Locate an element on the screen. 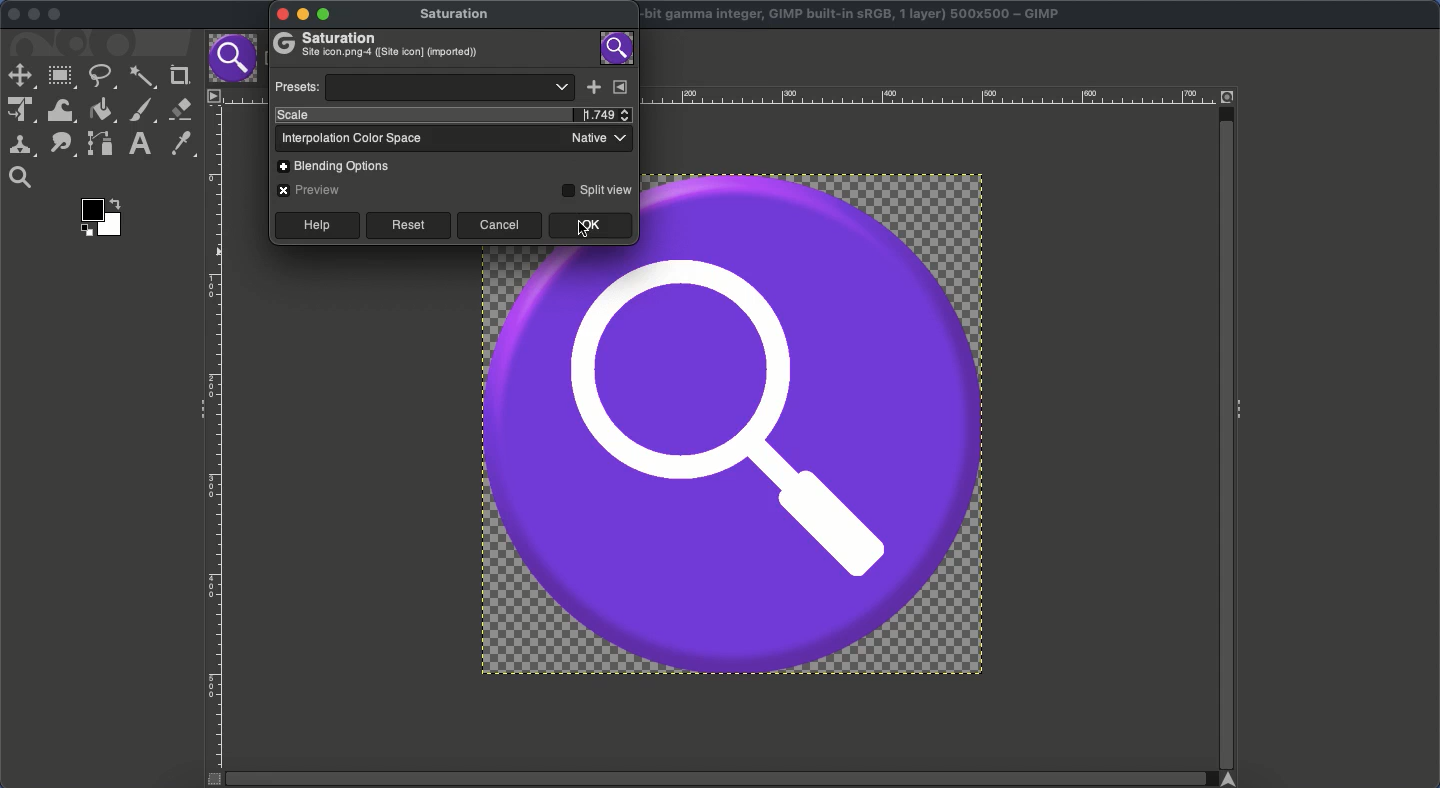 The width and height of the screenshot is (1440, 788). Color picker is located at coordinates (180, 144).